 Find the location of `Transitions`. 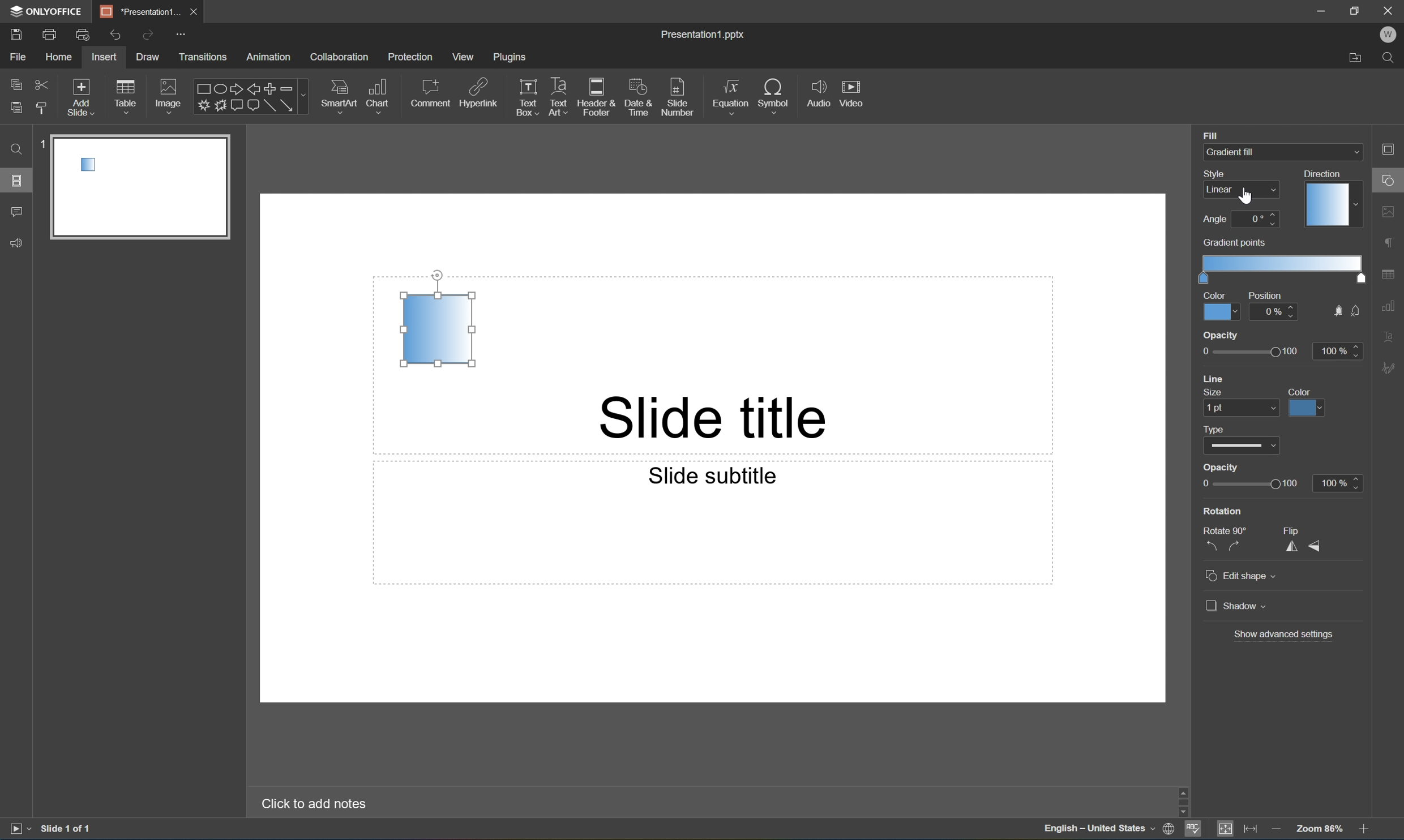

Transitions is located at coordinates (203, 58).